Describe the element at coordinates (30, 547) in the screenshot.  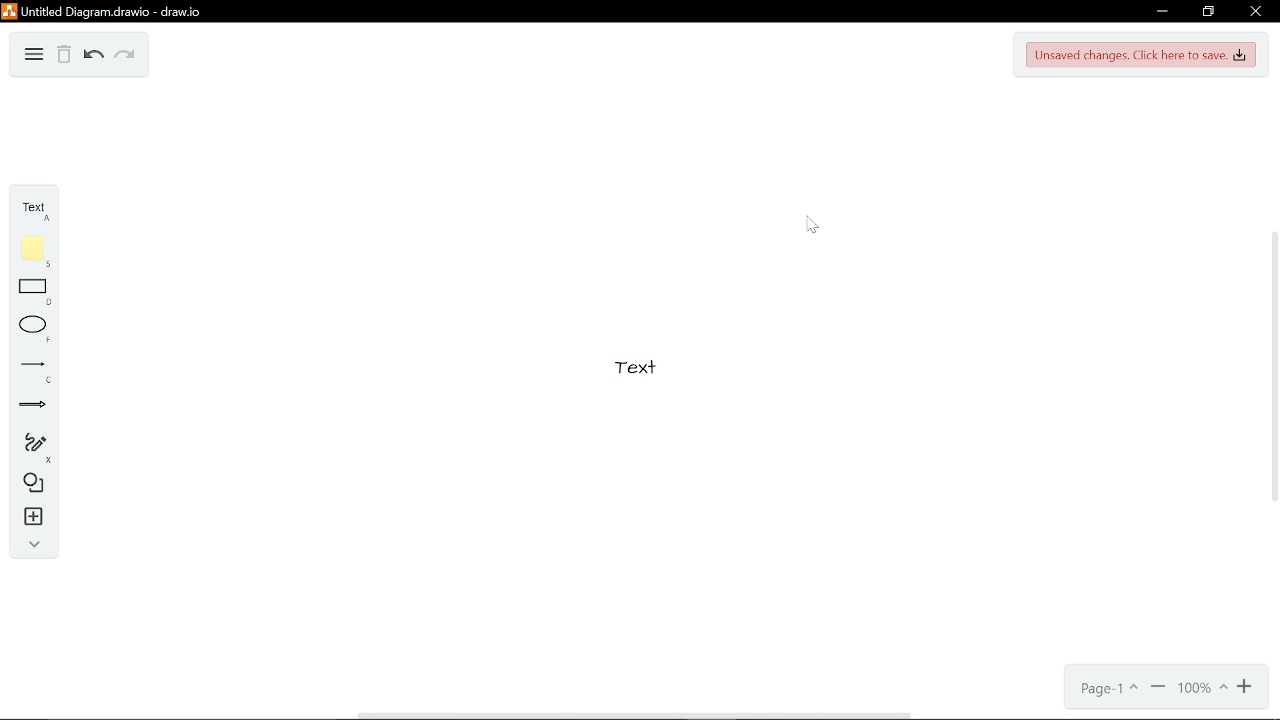
I see `Collapse ` at that location.